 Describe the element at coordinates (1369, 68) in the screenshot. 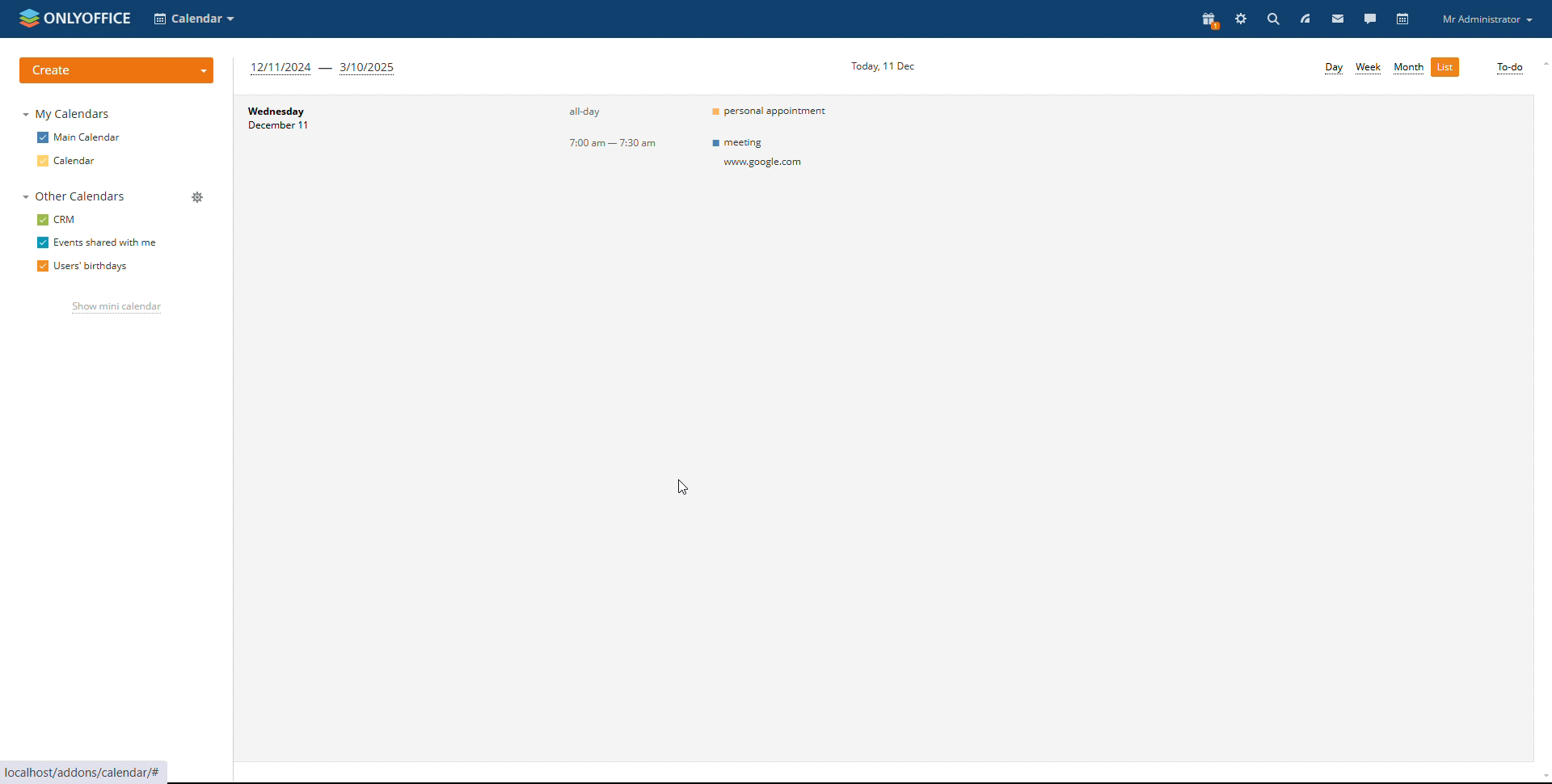

I see `week view` at that location.